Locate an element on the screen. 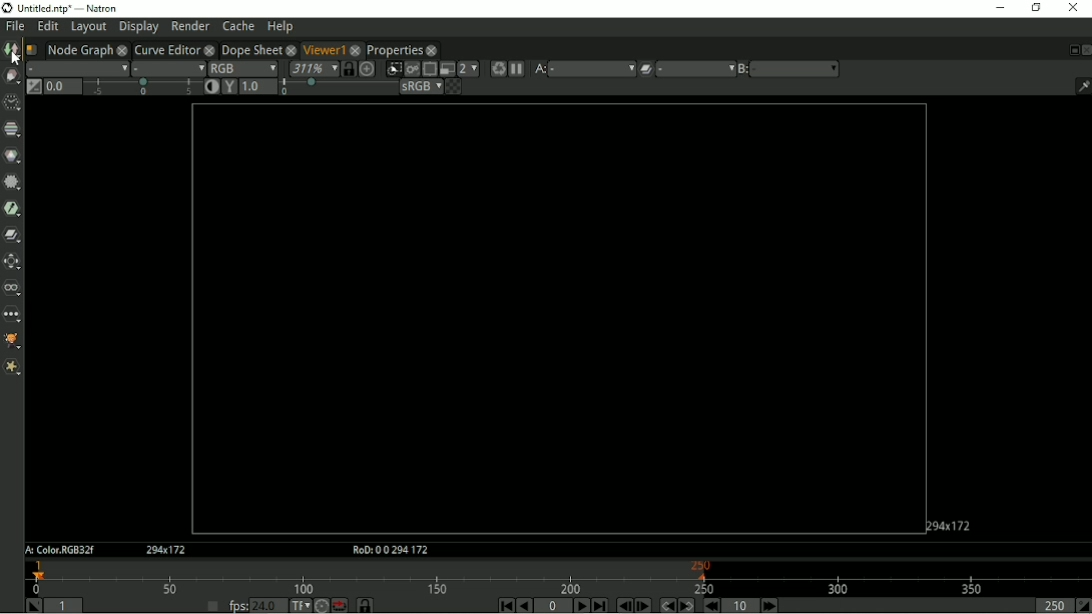 The height and width of the screenshot is (614, 1092). Dope Sheet is located at coordinates (250, 48).